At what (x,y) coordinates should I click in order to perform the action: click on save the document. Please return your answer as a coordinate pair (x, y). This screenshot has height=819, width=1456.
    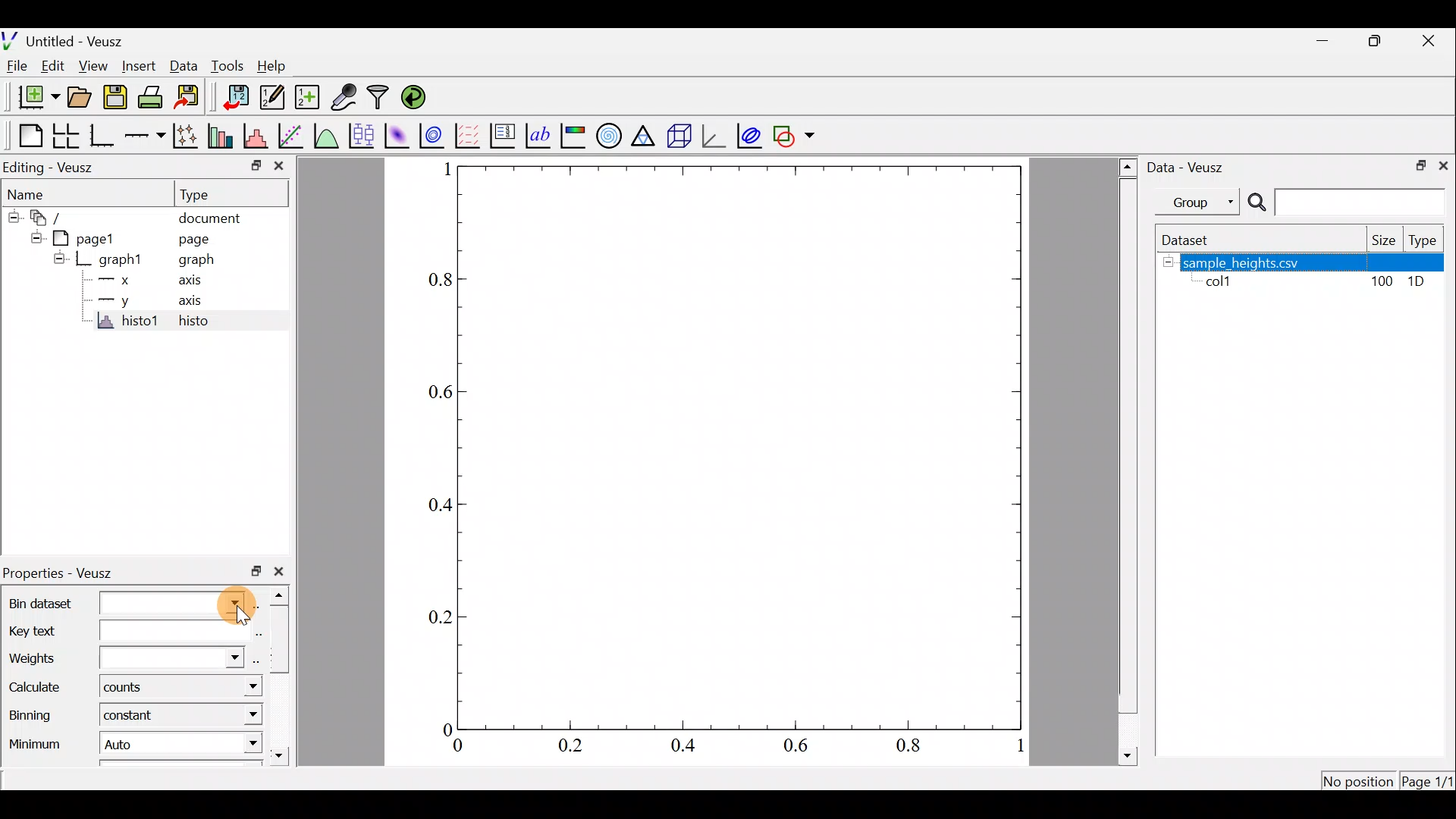
    Looking at the image, I should click on (115, 98).